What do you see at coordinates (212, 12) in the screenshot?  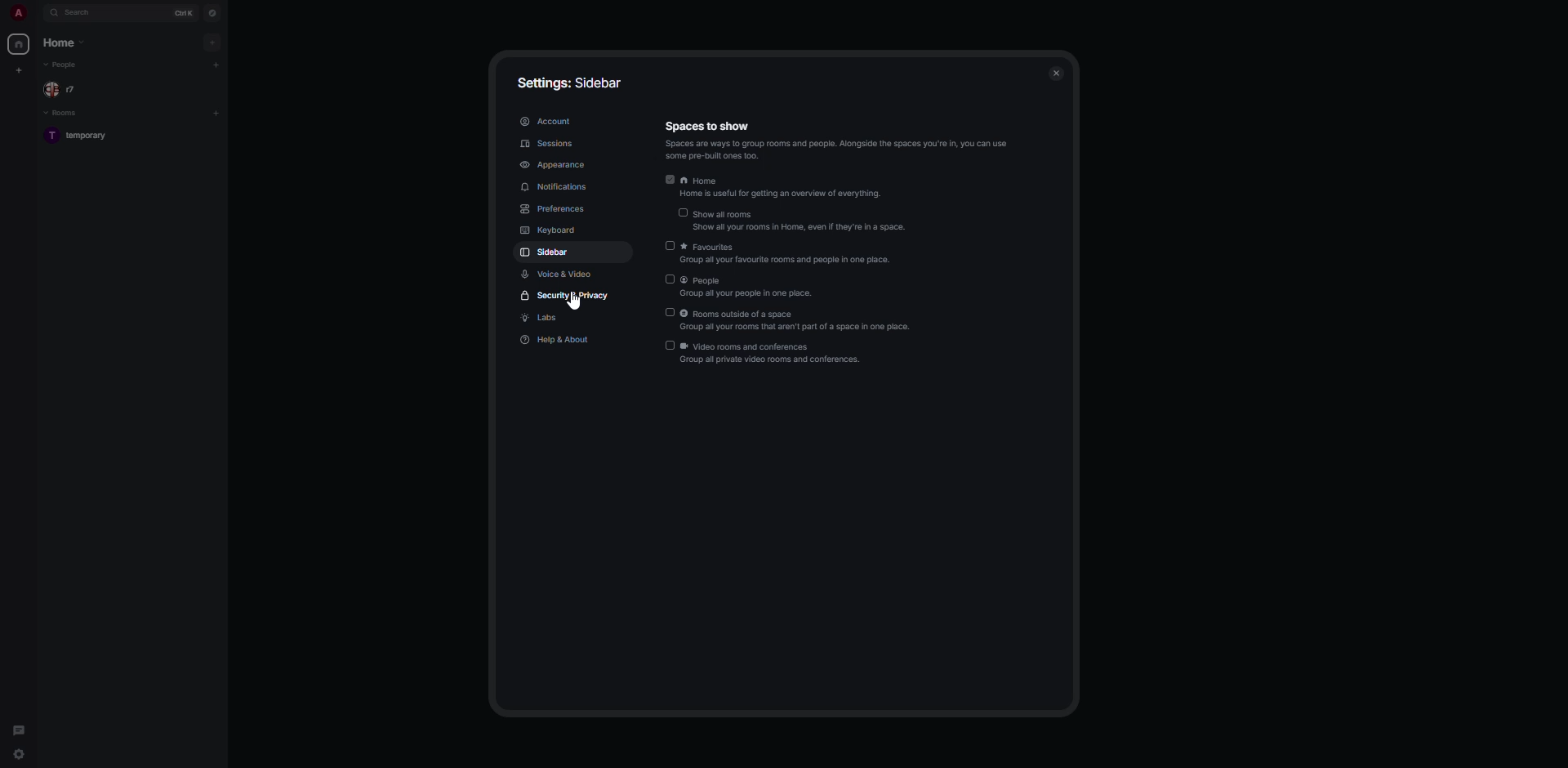 I see `navigator` at bounding box center [212, 12].